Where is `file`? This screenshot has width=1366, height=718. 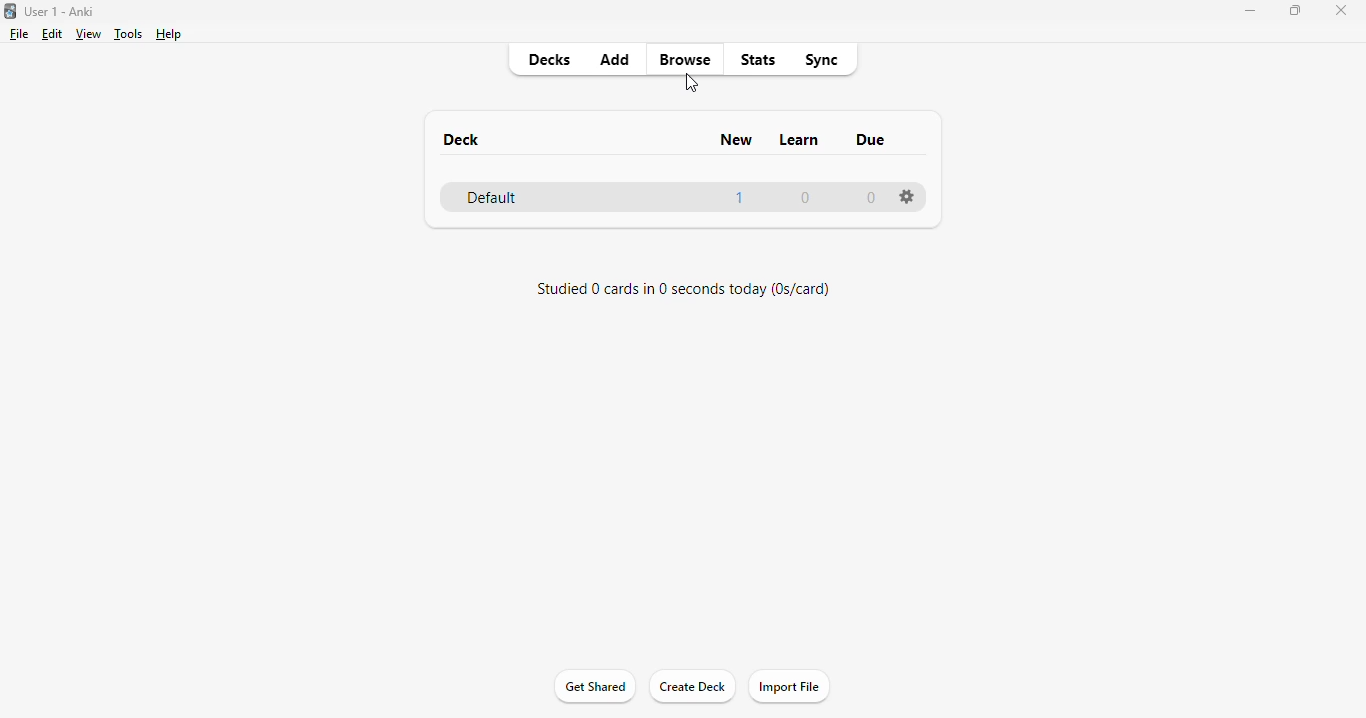 file is located at coordinates (19, 34).